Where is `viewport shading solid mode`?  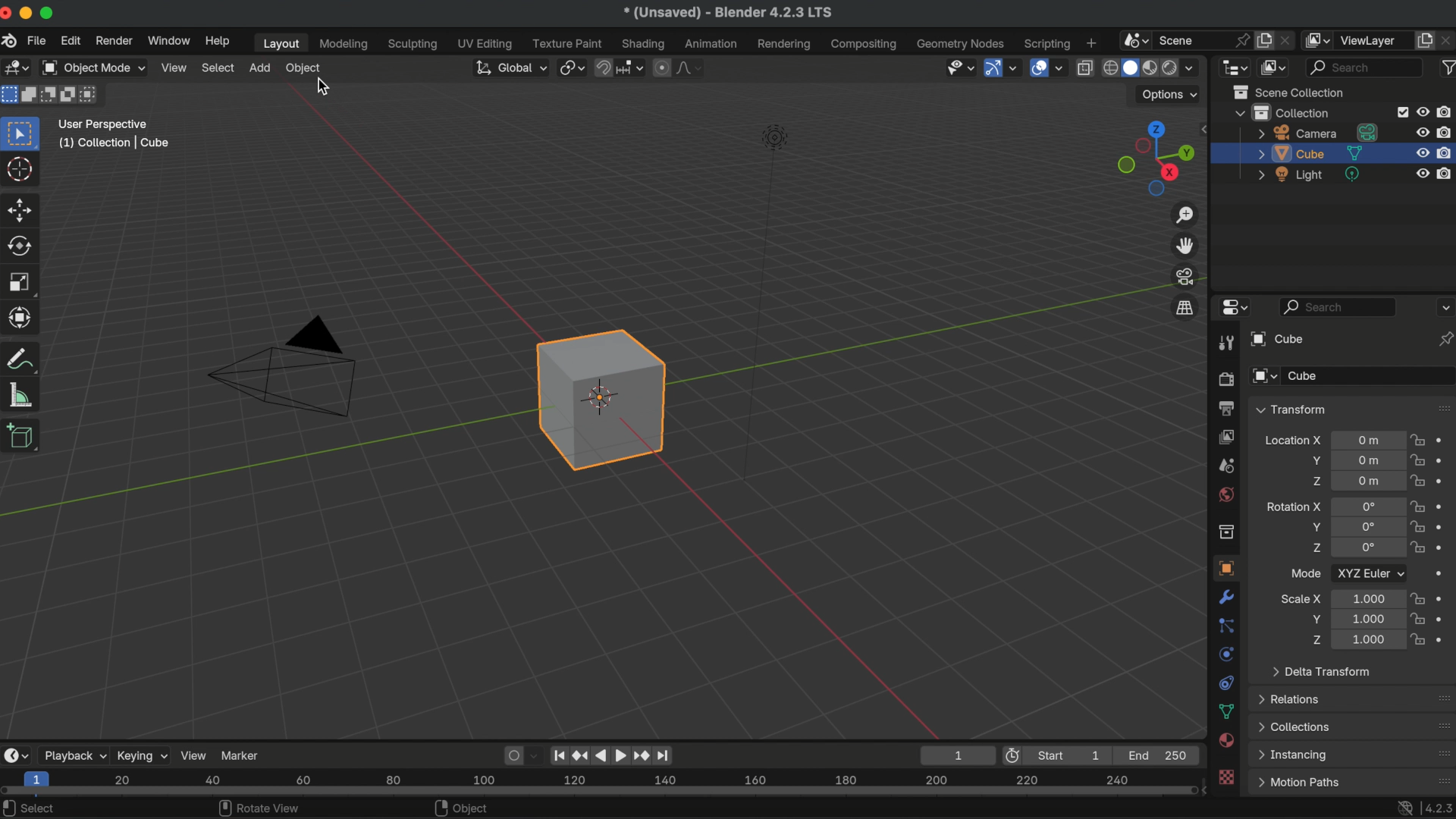
viewport shading solid mode is located at coordinates (1130, 66).